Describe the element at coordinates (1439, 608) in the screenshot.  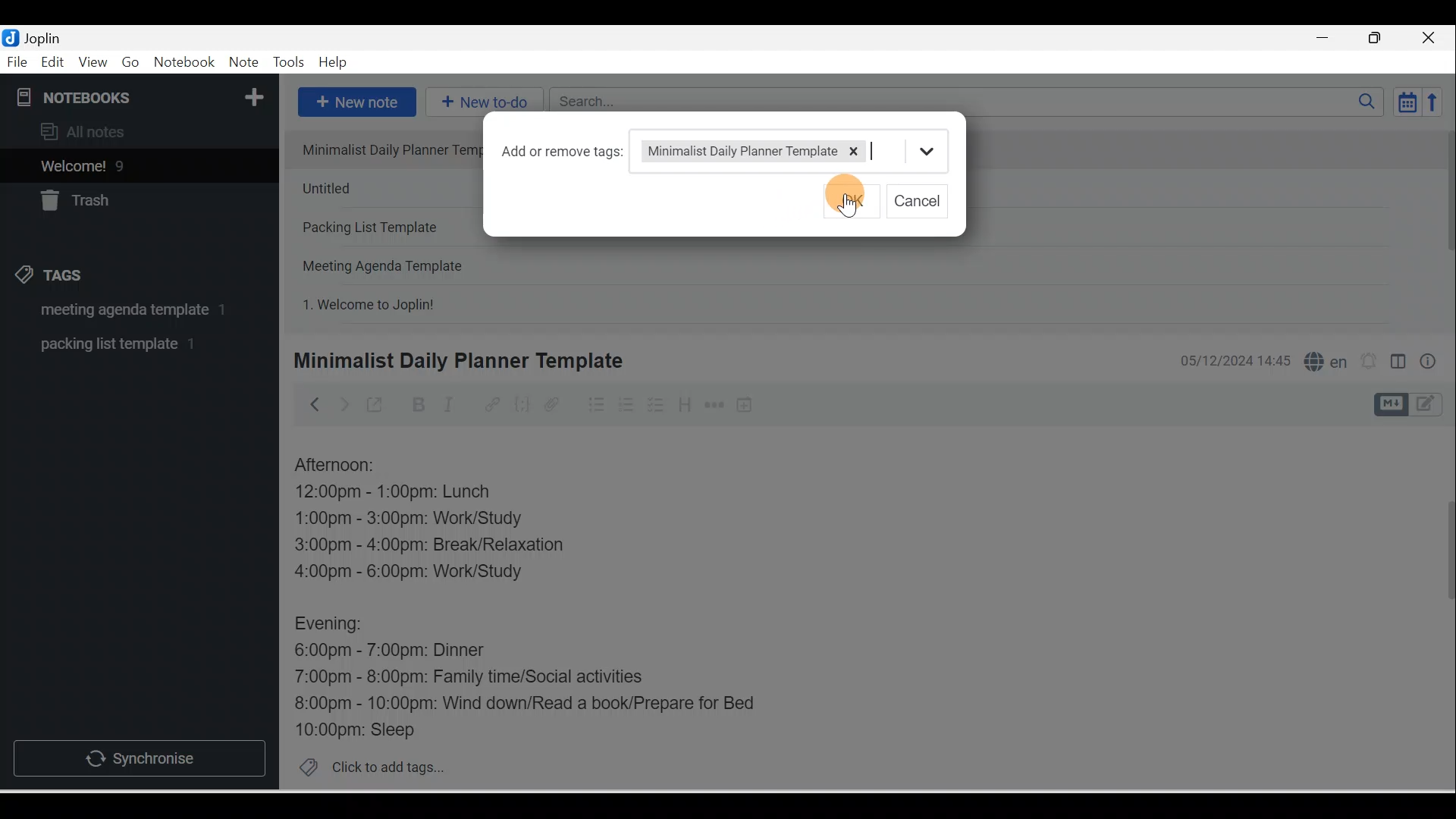
I see `Scroll bar` at that location.